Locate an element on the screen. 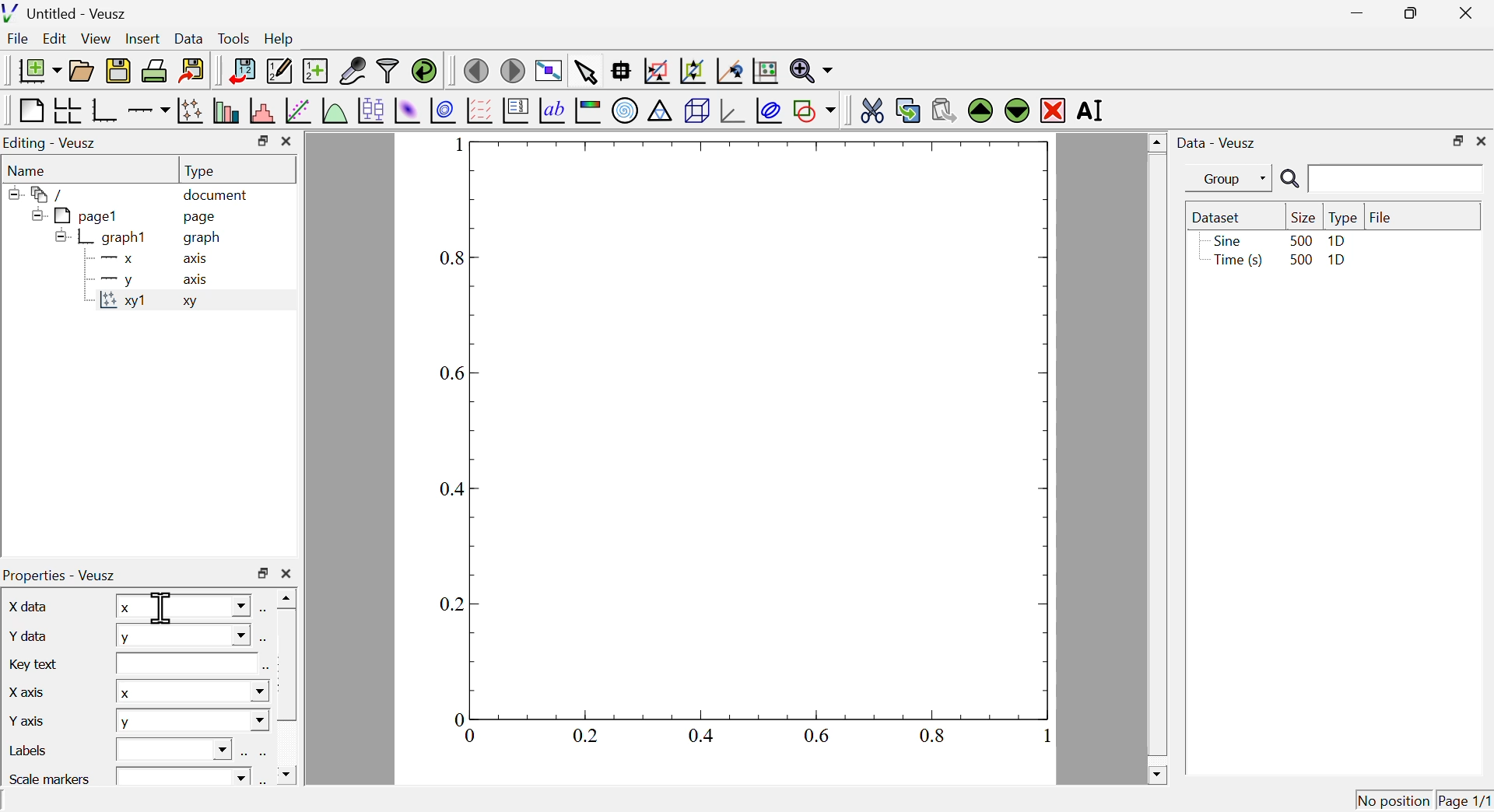 The height and width of the screenshot is (812, 1494). size is located at coordinates (1301, 217).